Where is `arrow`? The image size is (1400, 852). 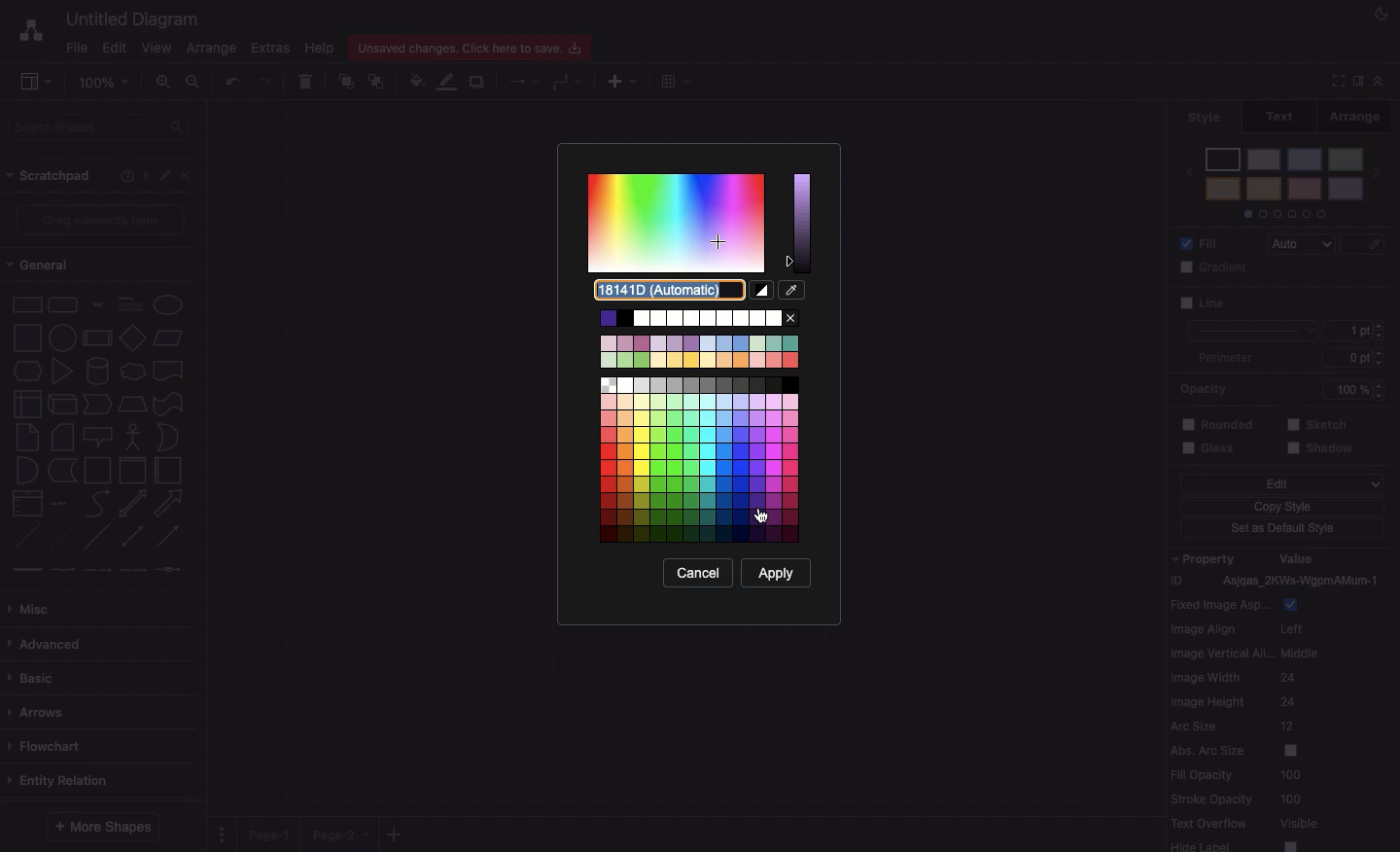 arrow is located at coordinates (172, 503).